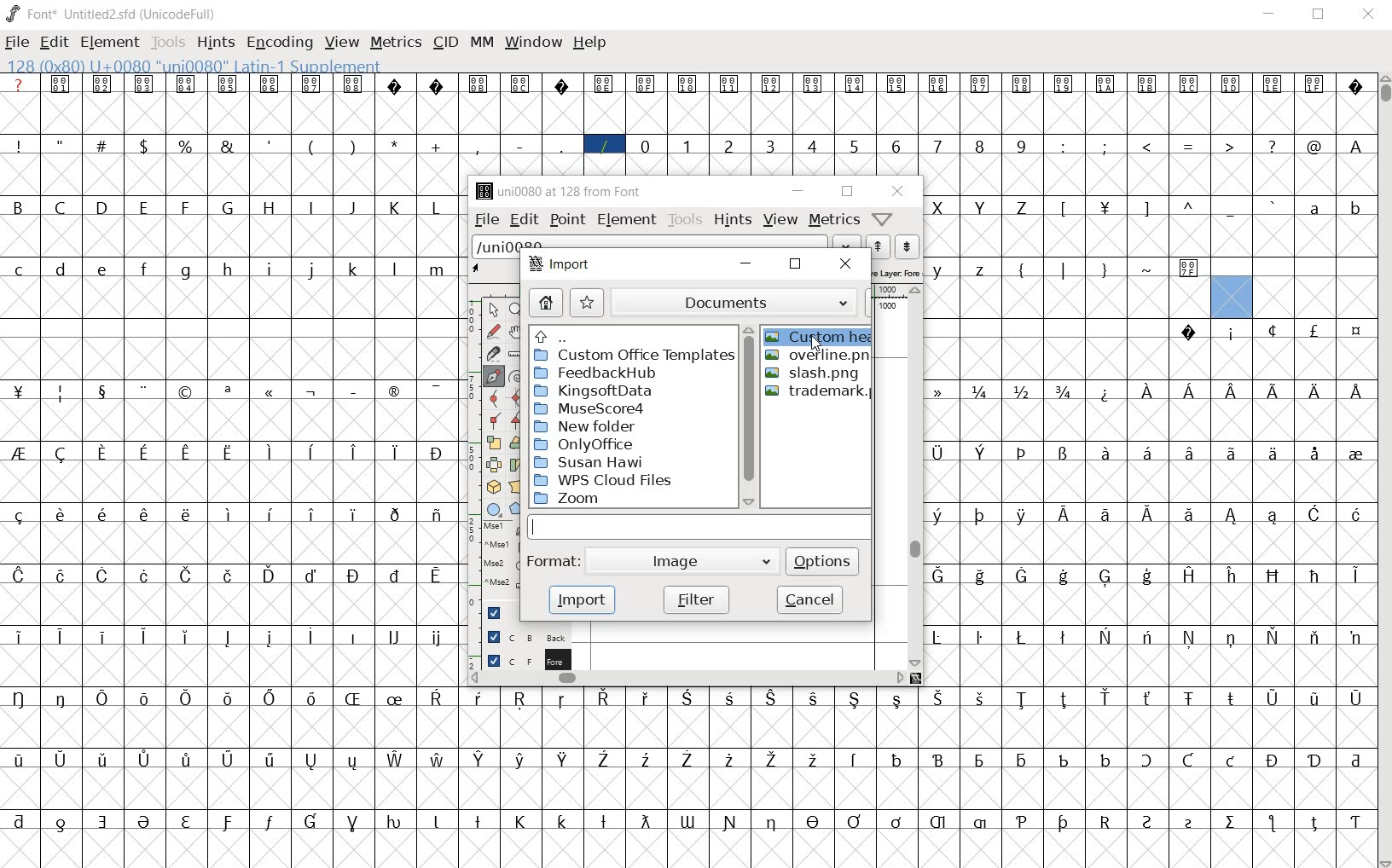 The image size is (1392, 868). I want to click on glyph, so click(60, 143).